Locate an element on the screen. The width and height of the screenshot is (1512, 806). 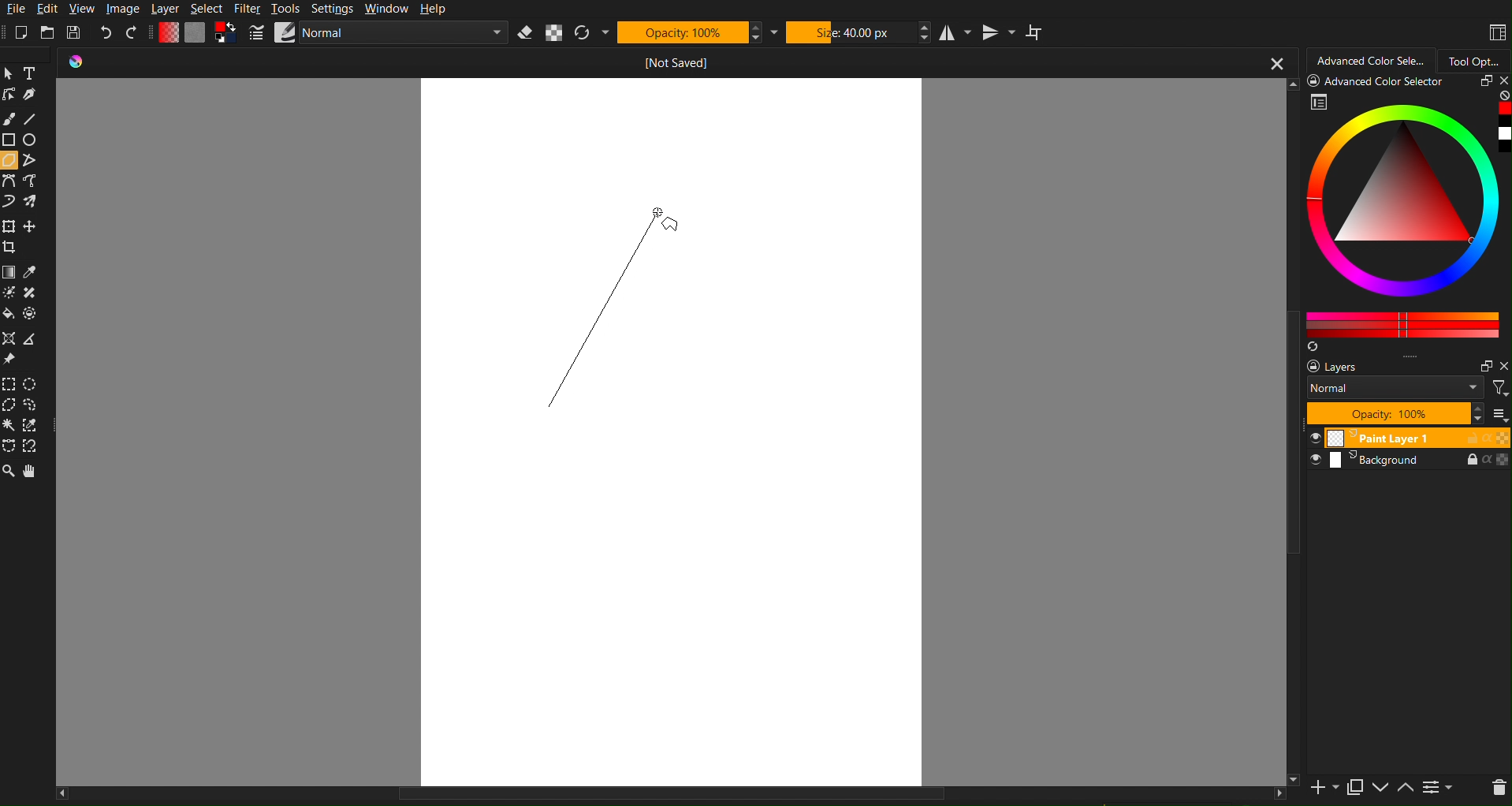
smart patch tool is located at coordinates (32, 292).